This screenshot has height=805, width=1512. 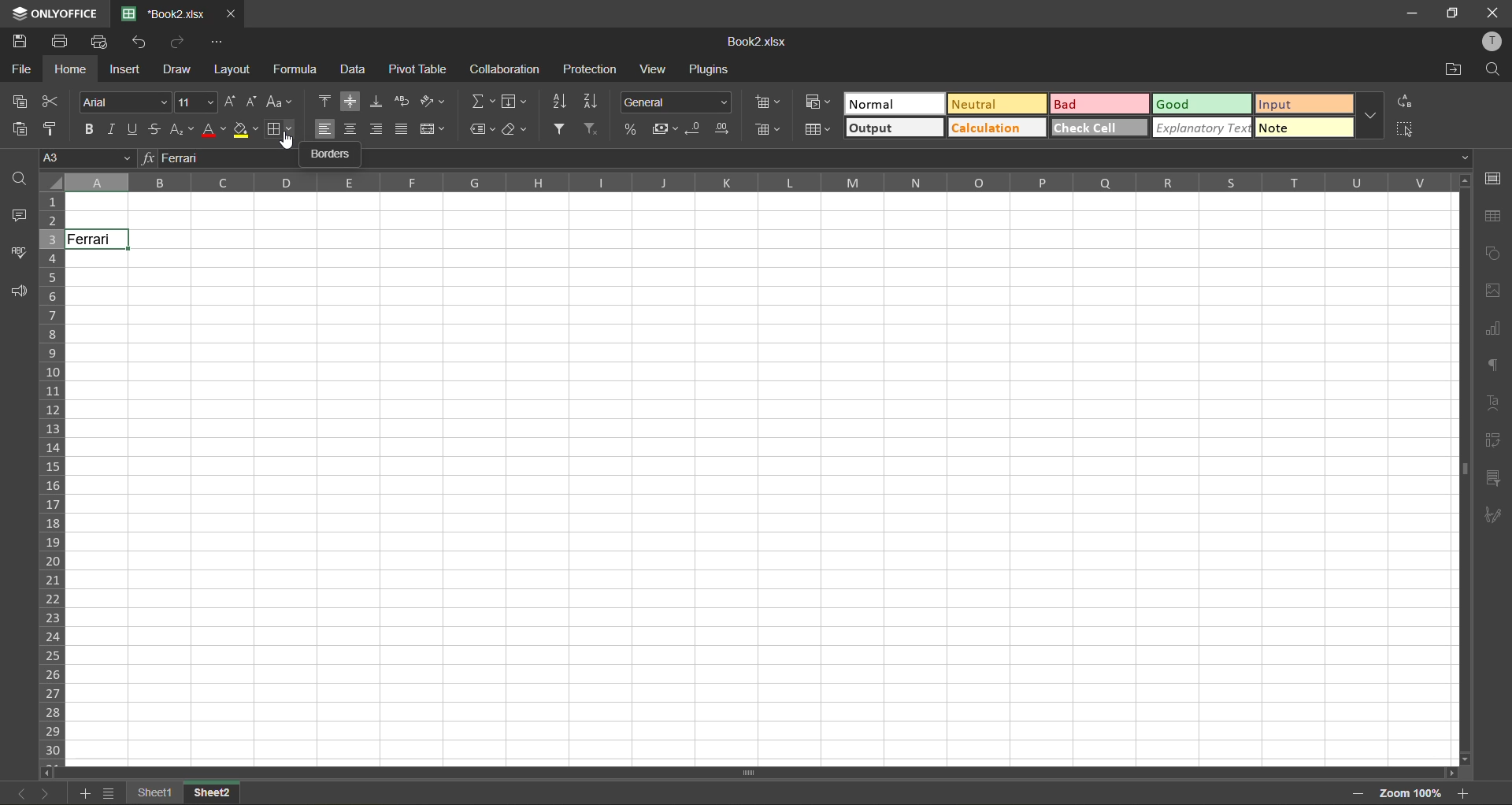 What do you see at coordinates (559, 102) in the screenshot?
I see `sort ascending` at bounding box center [559, 102].